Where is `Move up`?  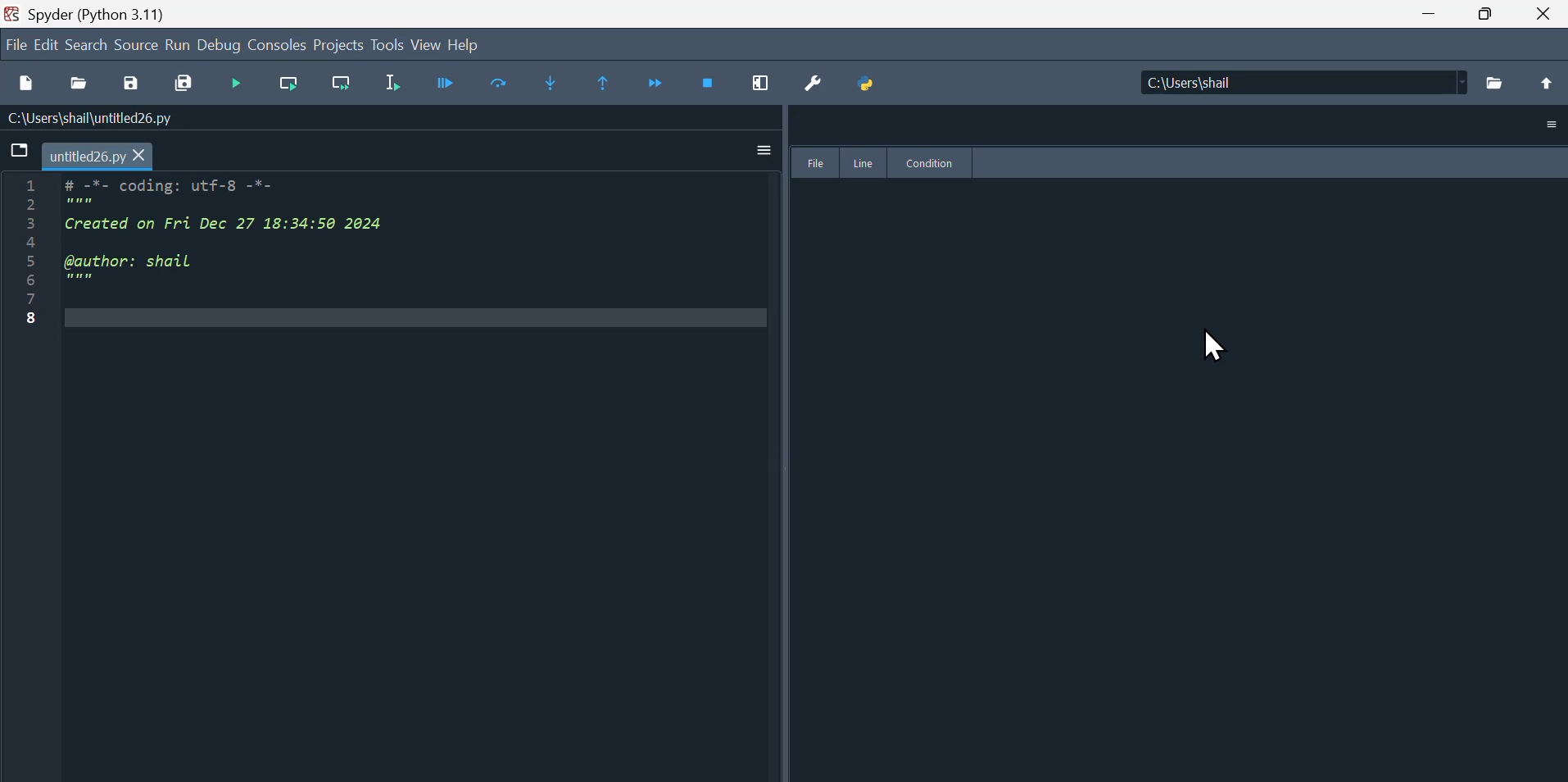 Move up is located at coordinates (1543, 84).